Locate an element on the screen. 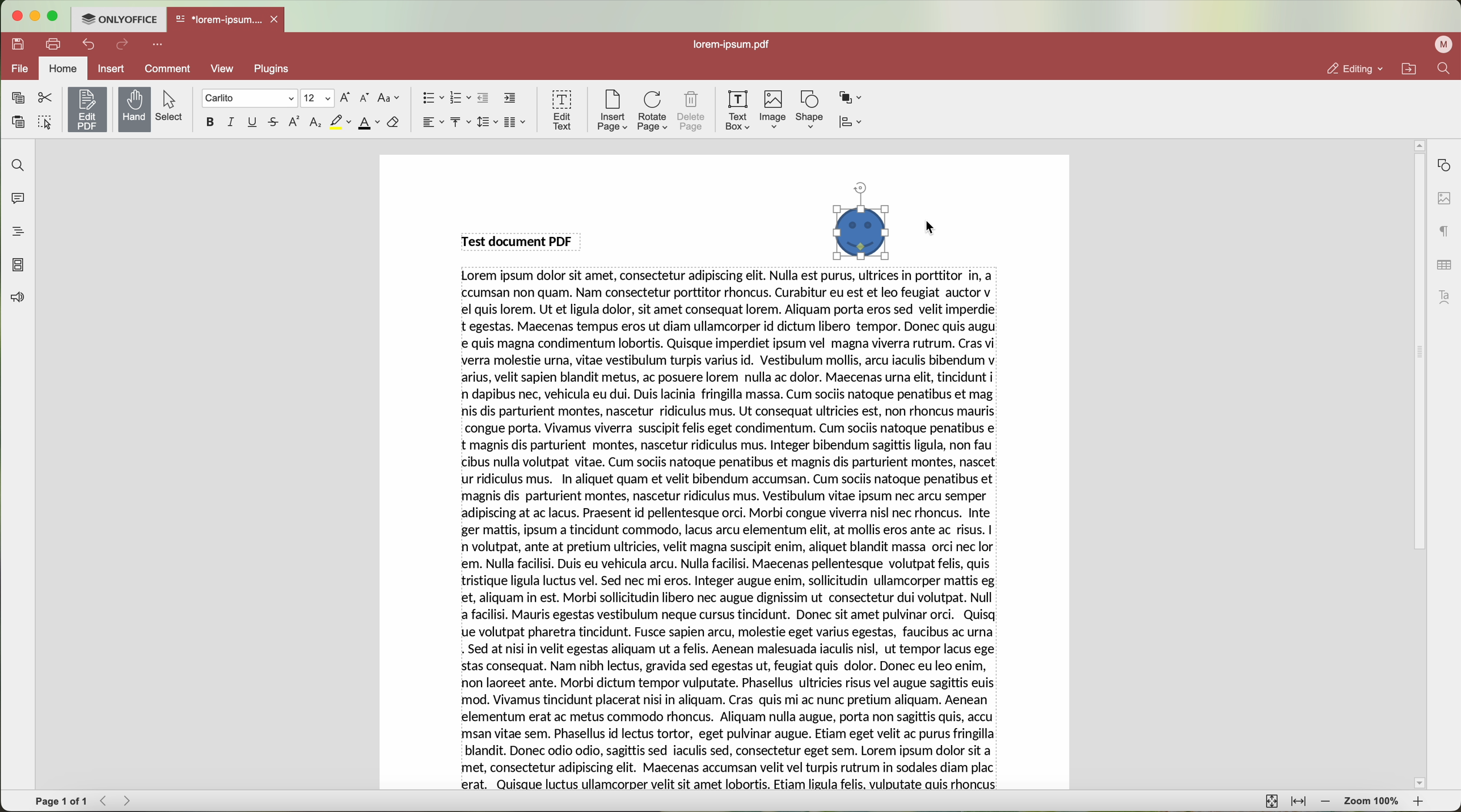 This screenshot has width=1461, height=812. select is located at coordinates (174, 106).